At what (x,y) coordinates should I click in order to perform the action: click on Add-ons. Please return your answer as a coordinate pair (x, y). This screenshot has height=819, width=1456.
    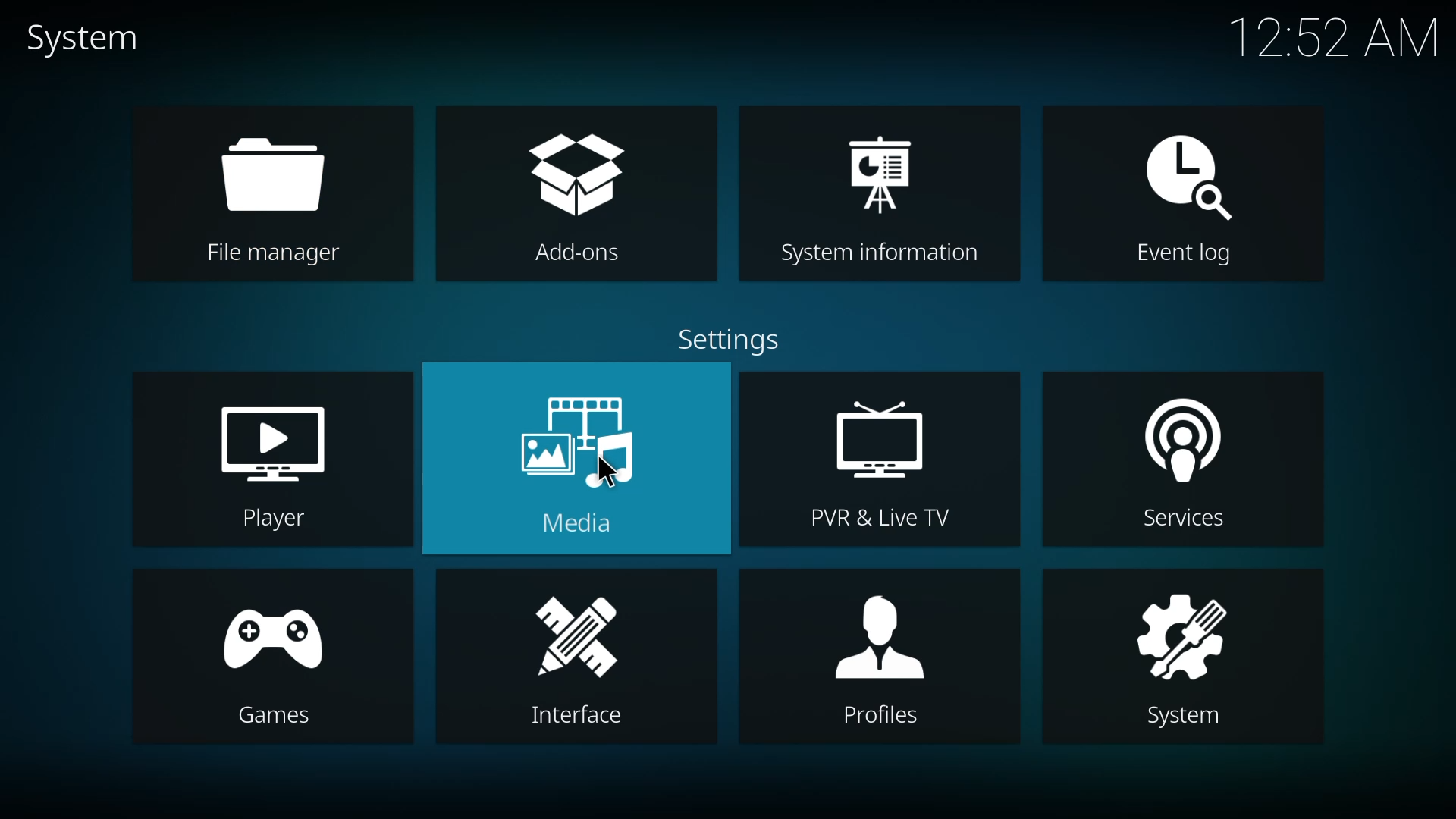
    Looking at the image, I should click on (577, 256).